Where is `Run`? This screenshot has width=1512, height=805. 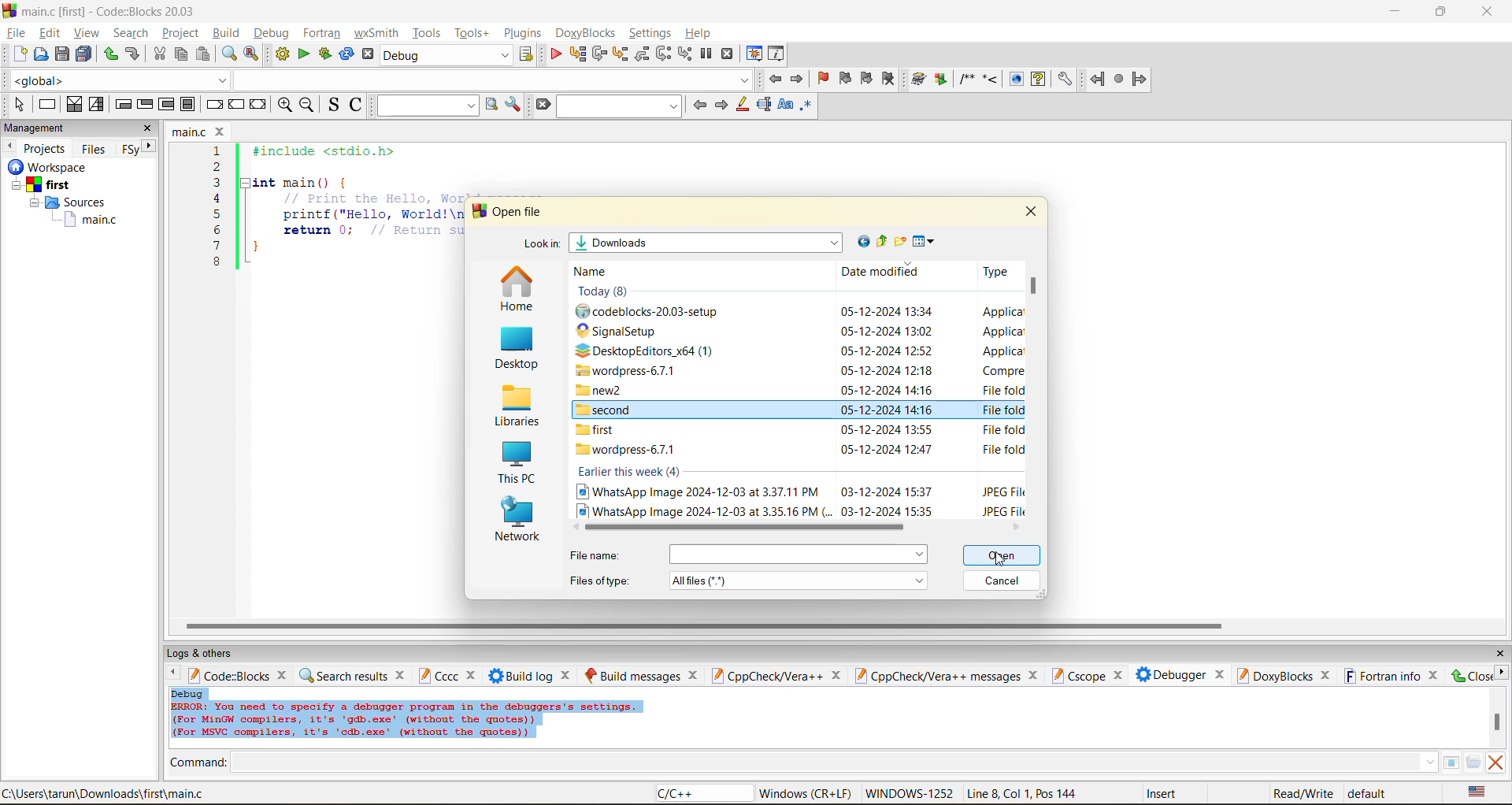
Run is located at coordinates (941, 79).